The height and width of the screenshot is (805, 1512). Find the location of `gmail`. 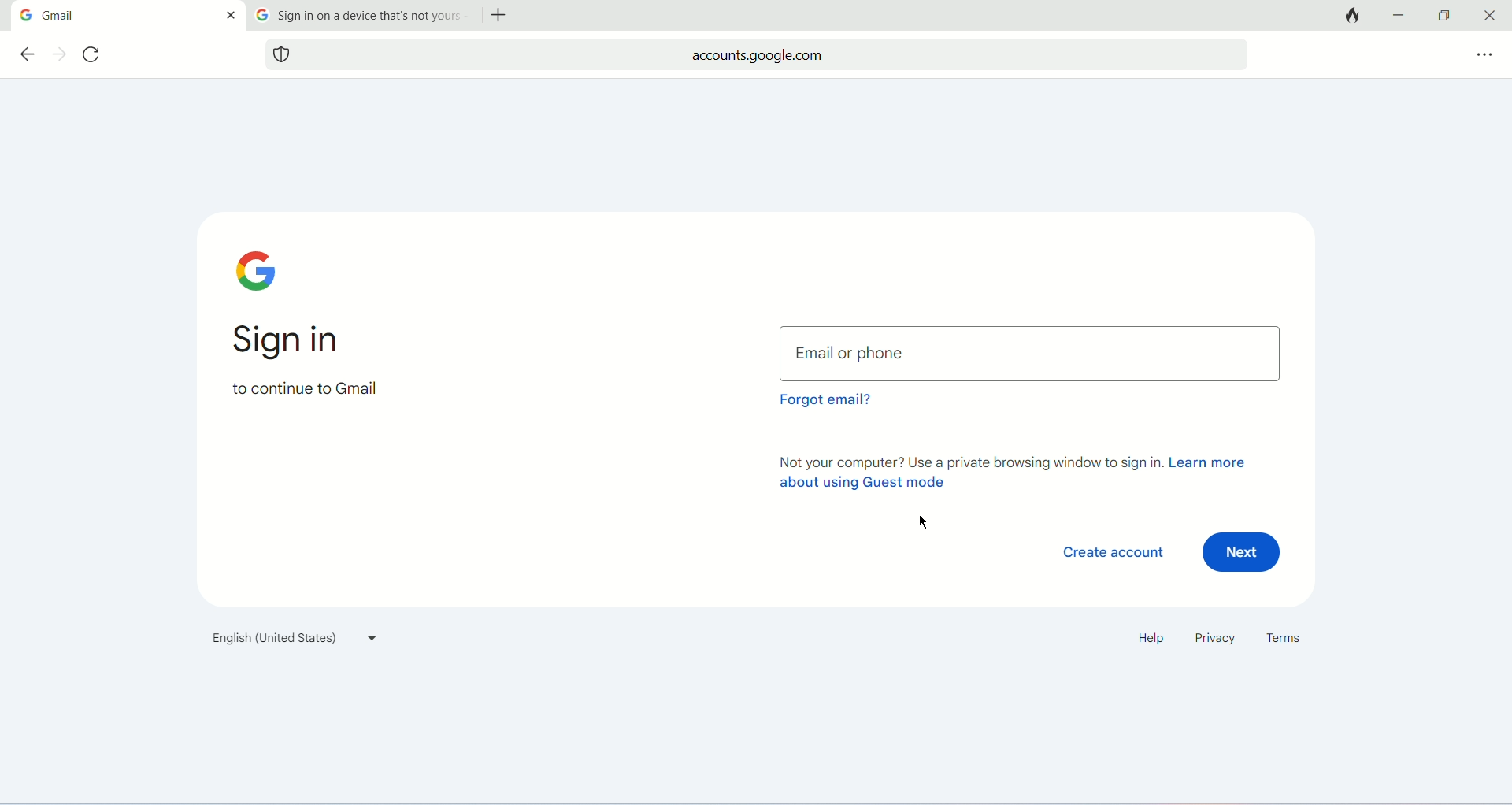

gmail is located at coordinates (124, 16).